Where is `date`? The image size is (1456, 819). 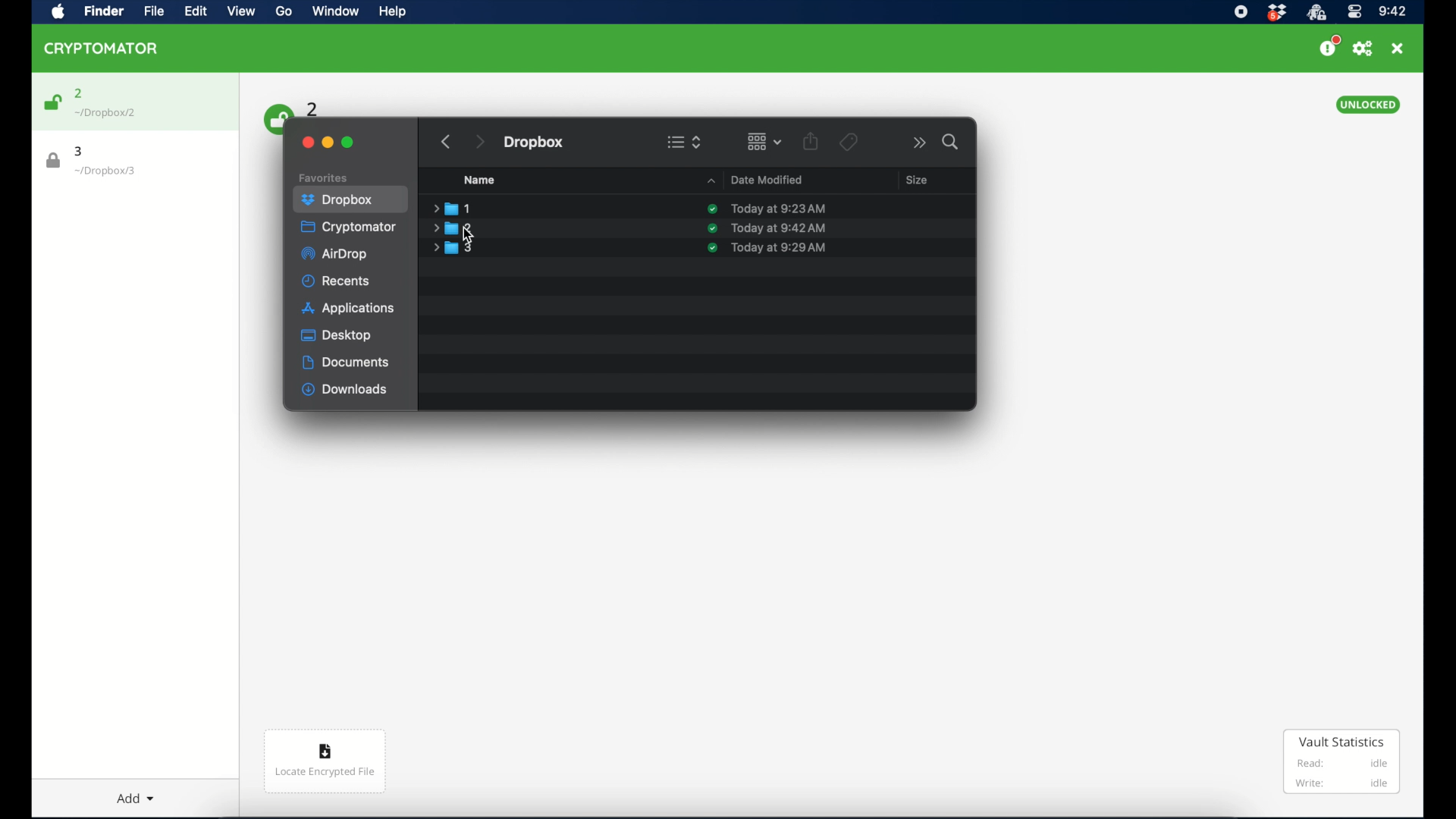 date is located at coordinates (777, 228).